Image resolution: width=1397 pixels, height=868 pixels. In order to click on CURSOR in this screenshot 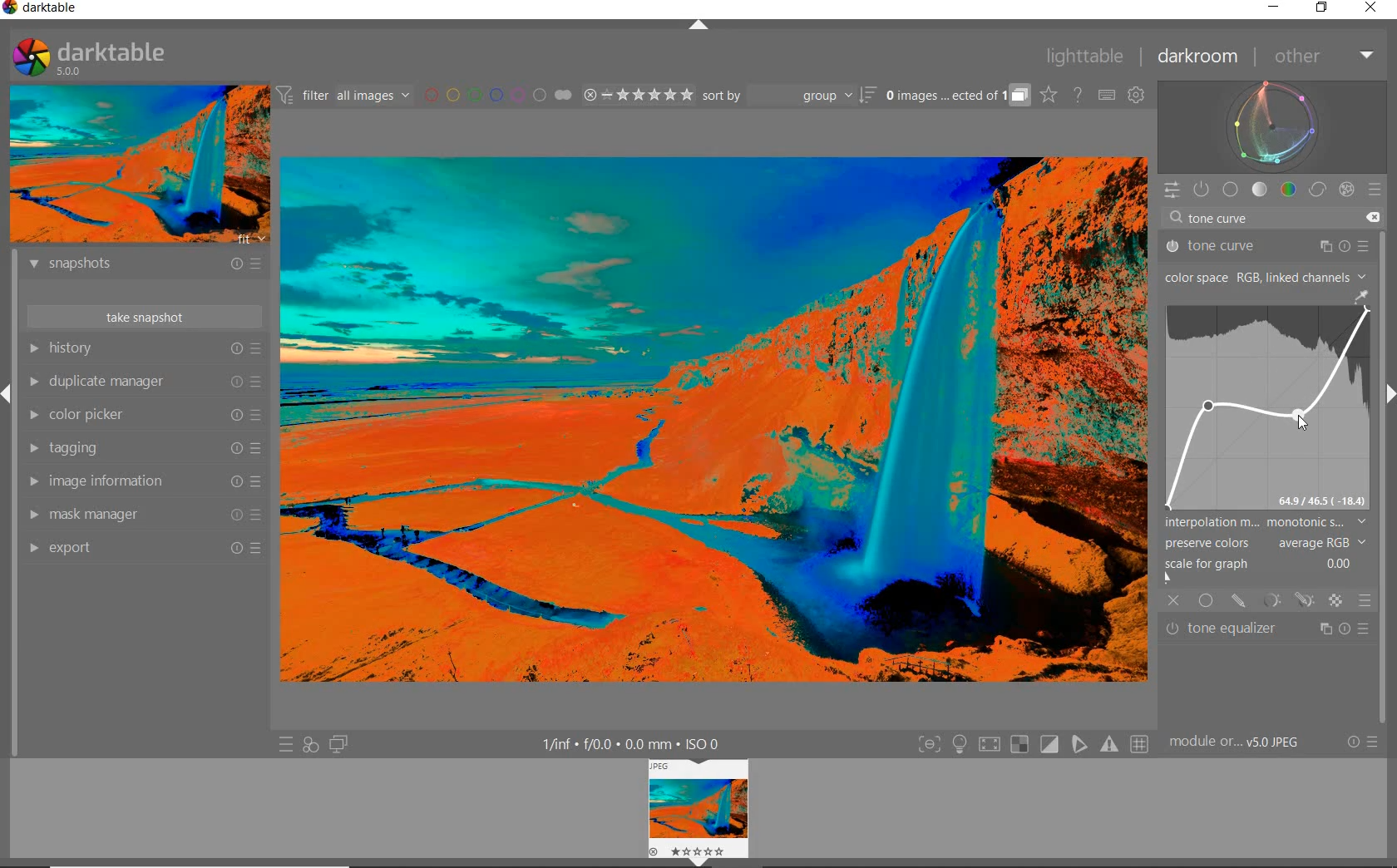, I will do `click(1209, 408)`.